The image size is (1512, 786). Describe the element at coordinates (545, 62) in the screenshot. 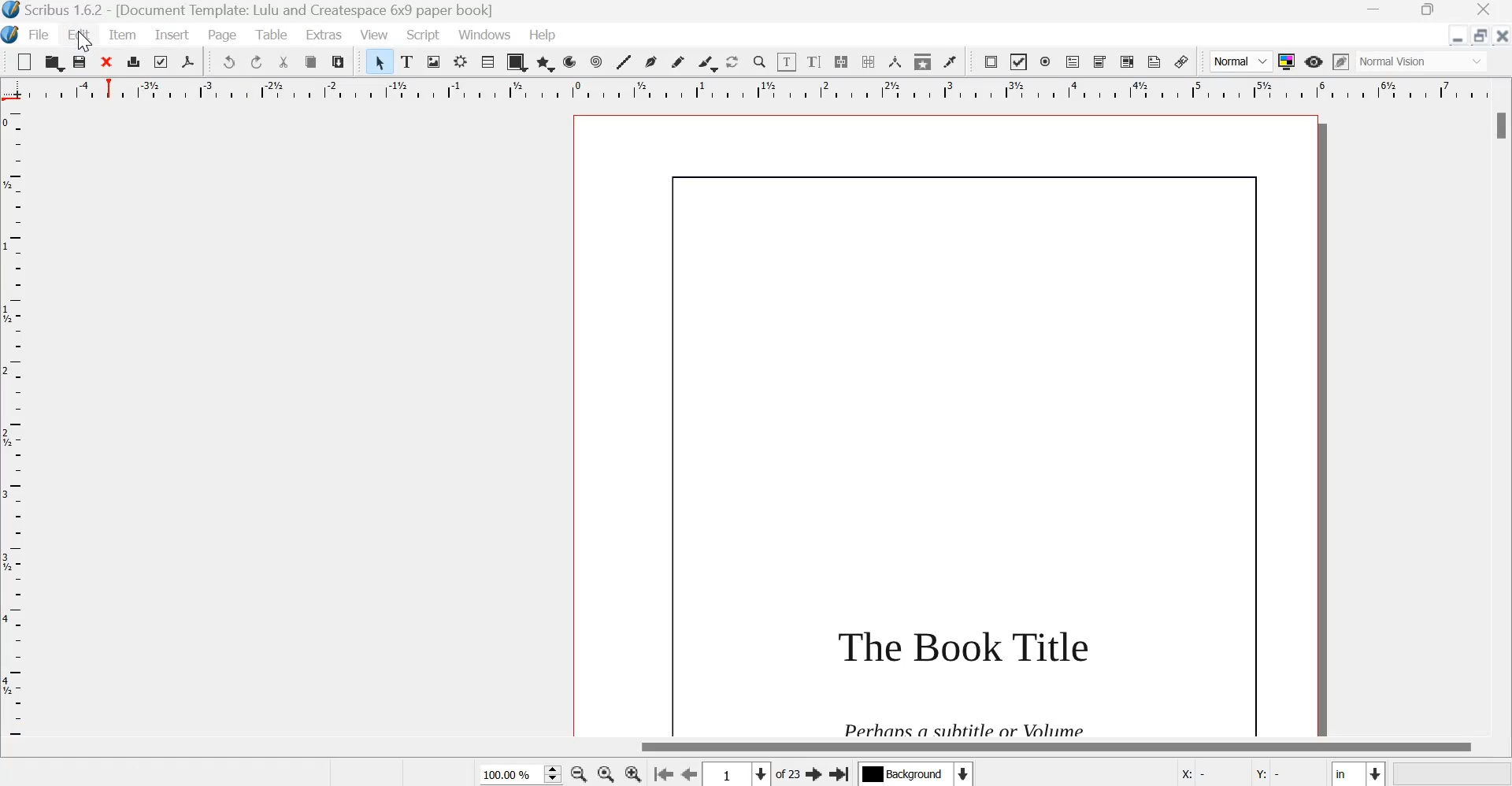

I see `polygon` at that location.